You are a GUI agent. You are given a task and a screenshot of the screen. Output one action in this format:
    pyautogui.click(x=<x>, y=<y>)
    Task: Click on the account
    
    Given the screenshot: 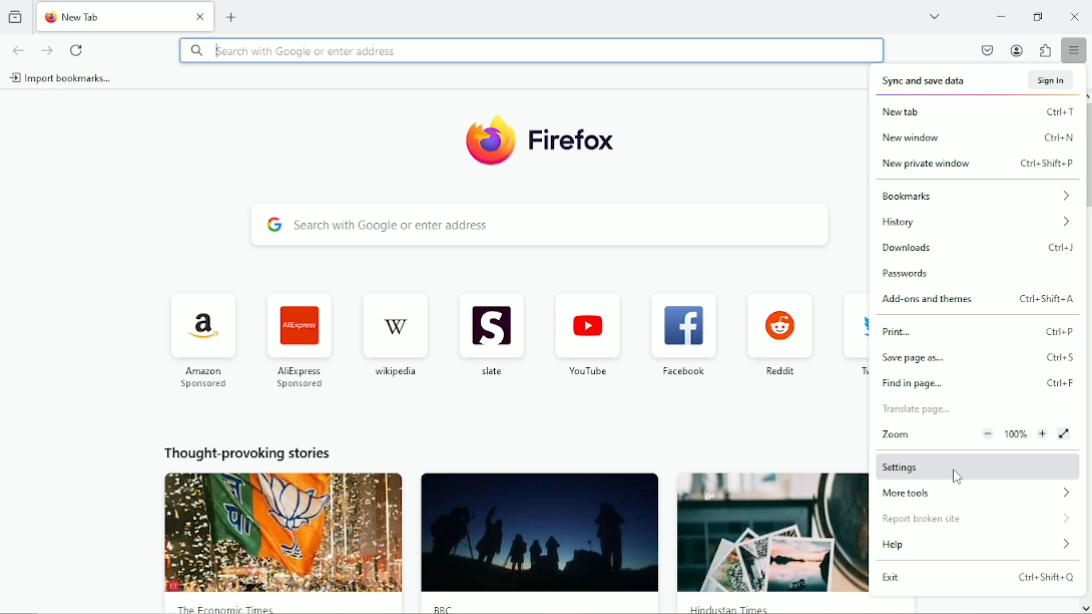 What is the action you would take?
    pyautogui.click(x=1018, y=51)
    